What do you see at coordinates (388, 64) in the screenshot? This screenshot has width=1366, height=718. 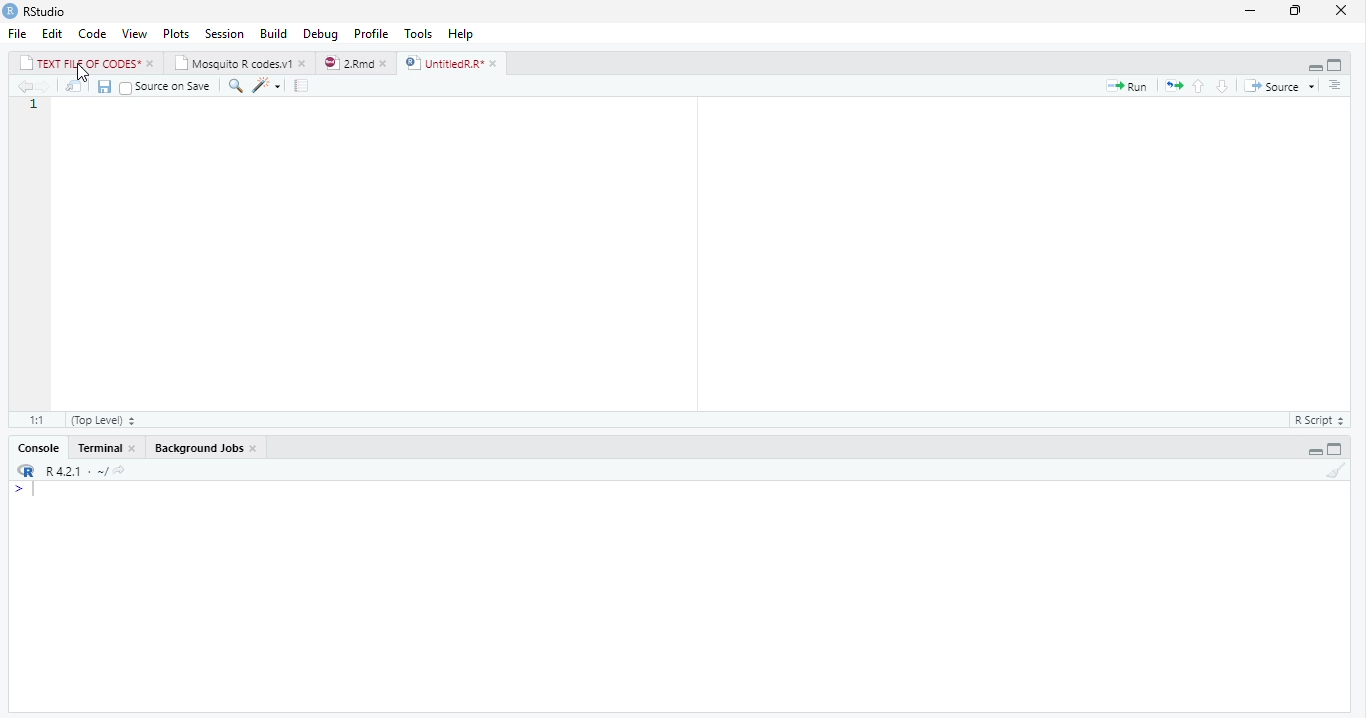 I see `close` at bounding box center [388, 64].